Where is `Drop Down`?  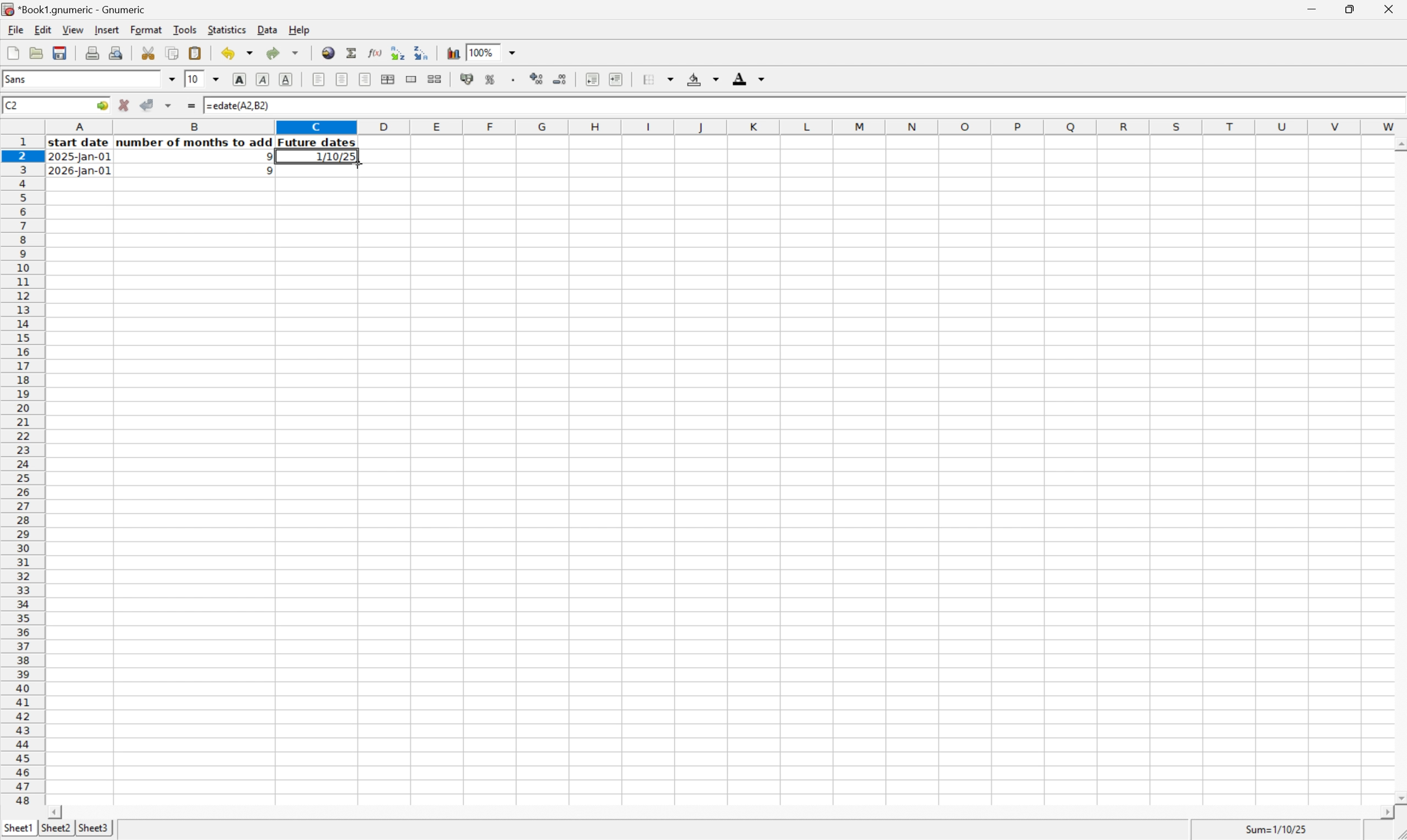
Drop Down is located at coordinates (517, 53).